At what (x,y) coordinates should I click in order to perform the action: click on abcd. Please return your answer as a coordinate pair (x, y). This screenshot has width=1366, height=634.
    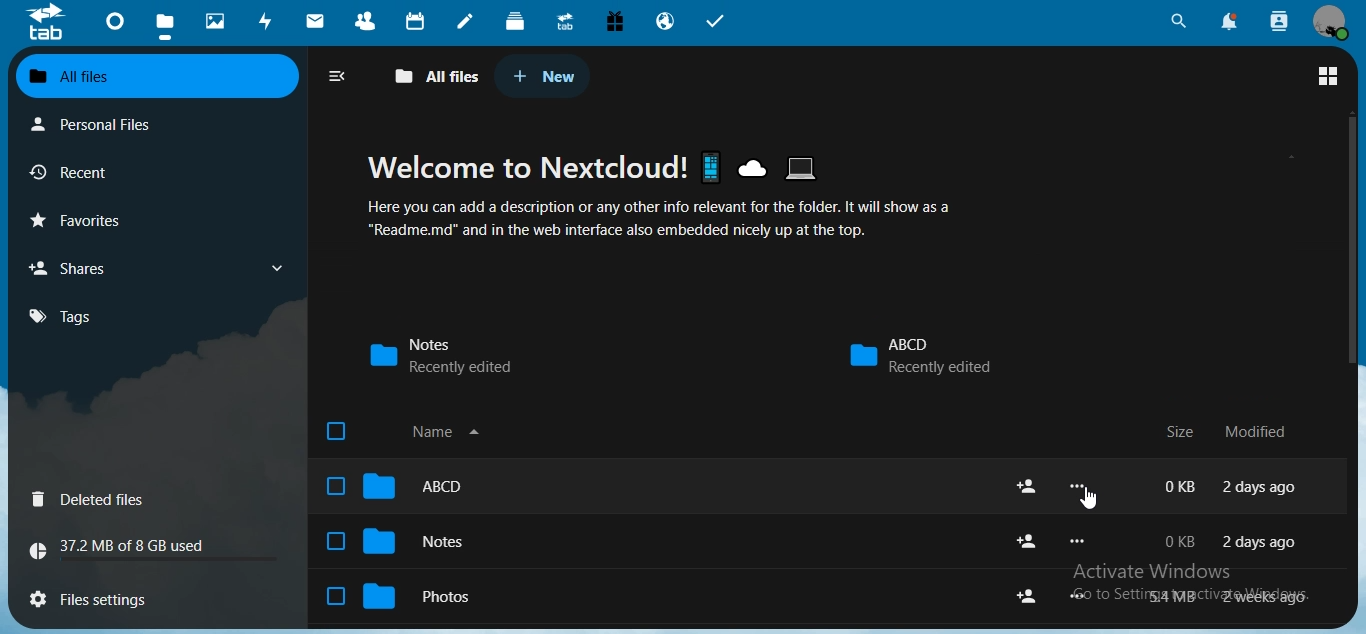
    Looking at the image, I should click on (396, 486).